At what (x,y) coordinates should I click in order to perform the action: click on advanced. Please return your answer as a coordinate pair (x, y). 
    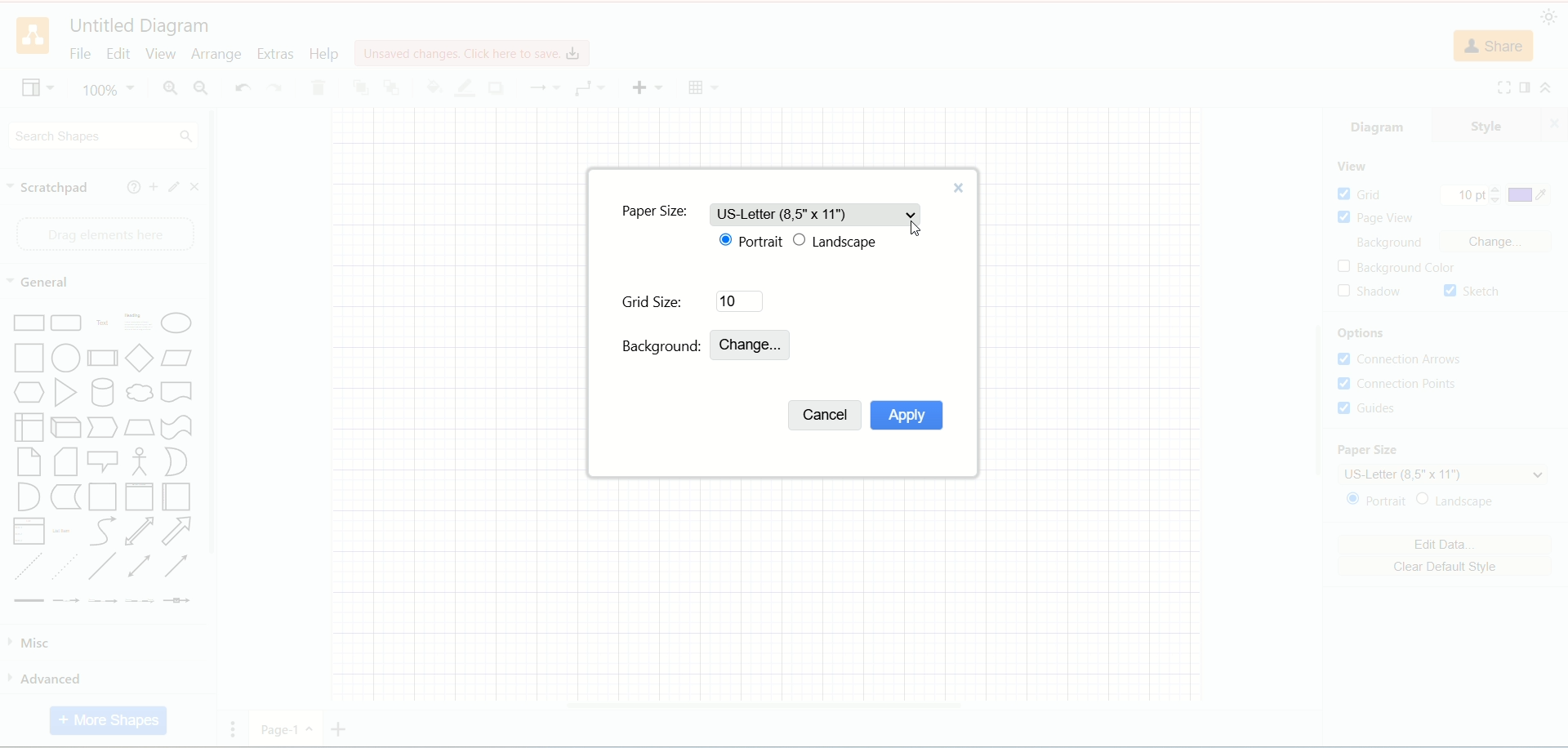
    Looking at the image, I should click on (99, 679).